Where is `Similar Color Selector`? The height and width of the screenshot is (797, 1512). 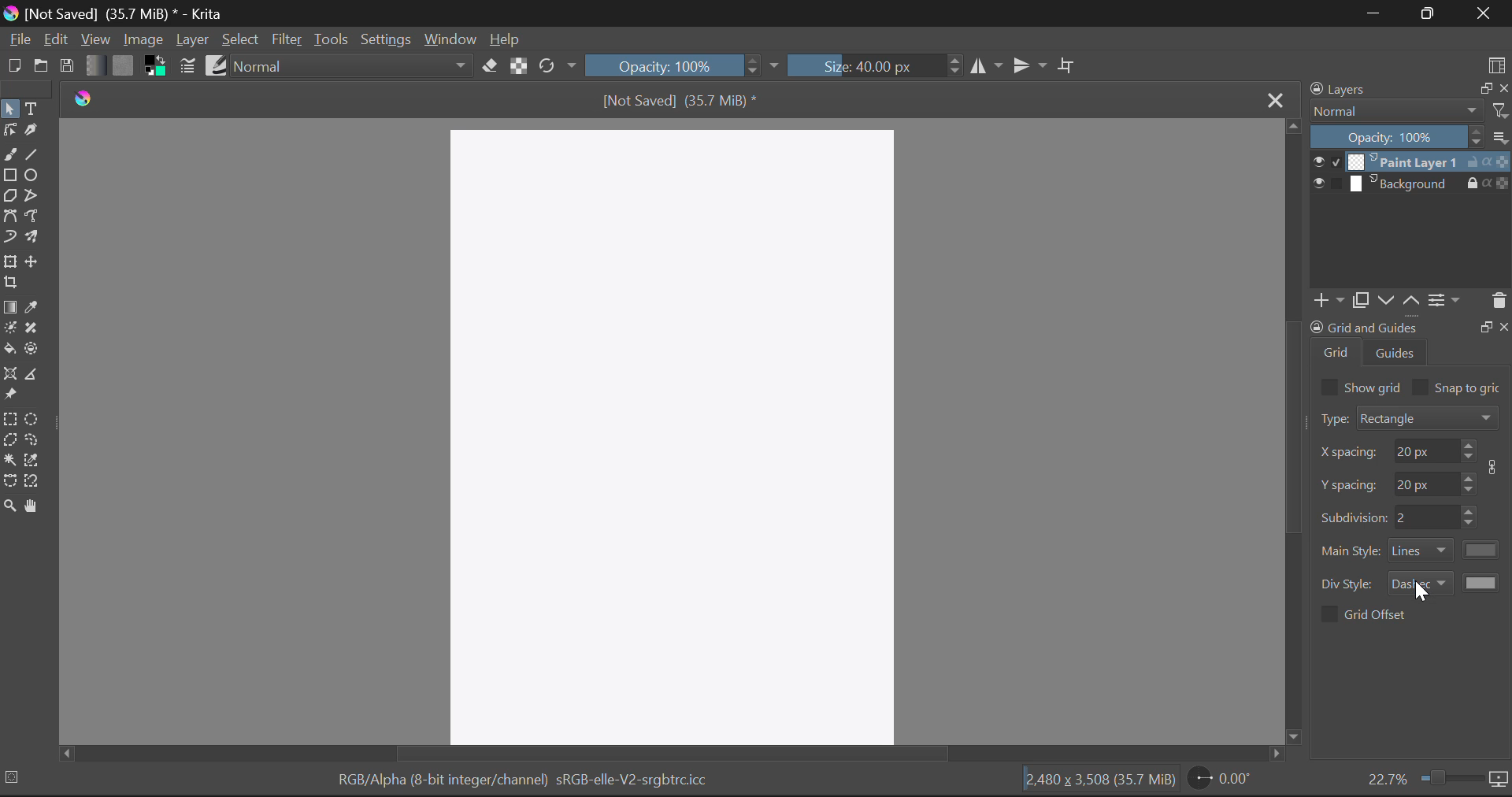
Similar Color Selector is located at coordinates (32, 459).